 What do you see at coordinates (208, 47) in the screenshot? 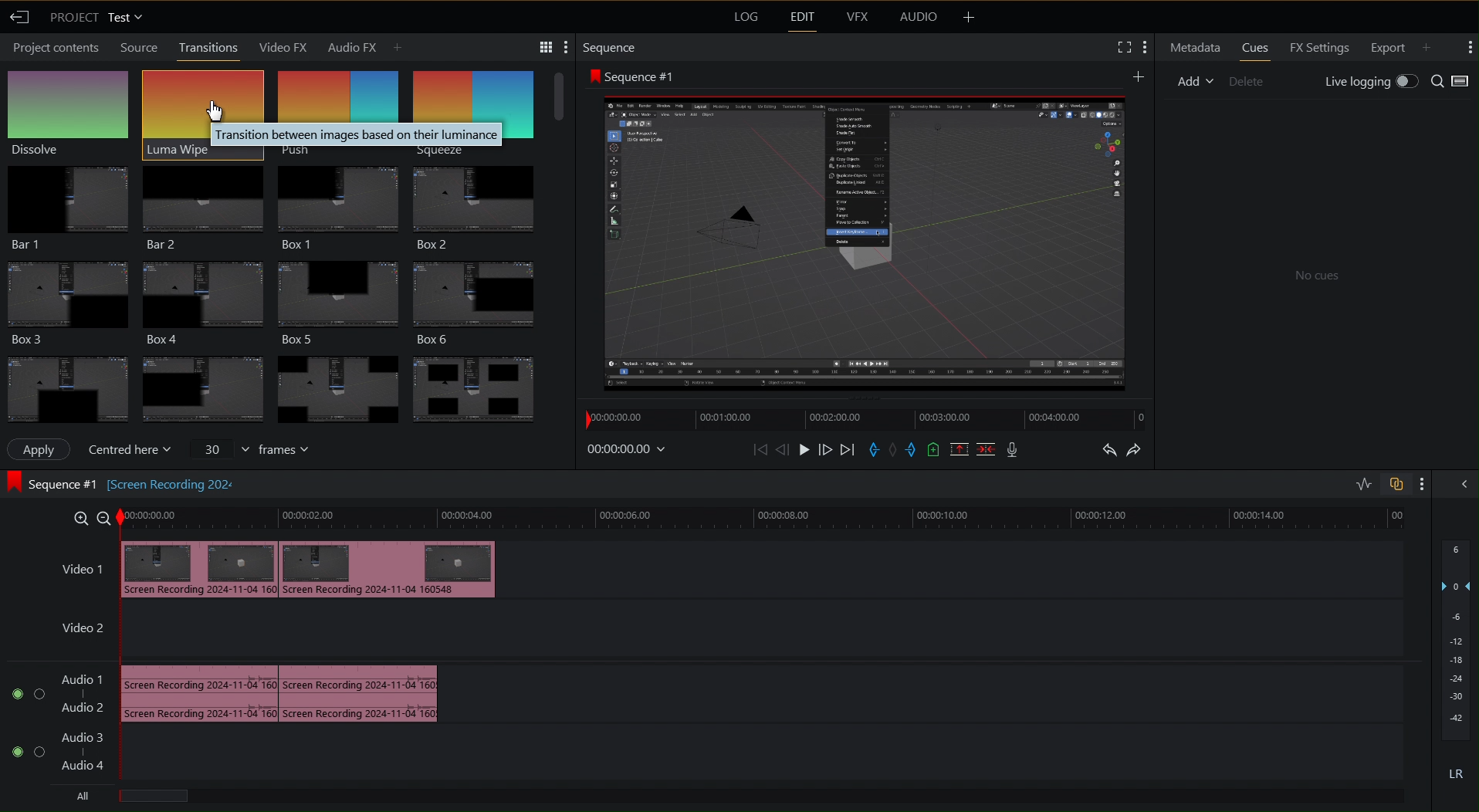
I see `Transitions` at bounding box center [208, 47].